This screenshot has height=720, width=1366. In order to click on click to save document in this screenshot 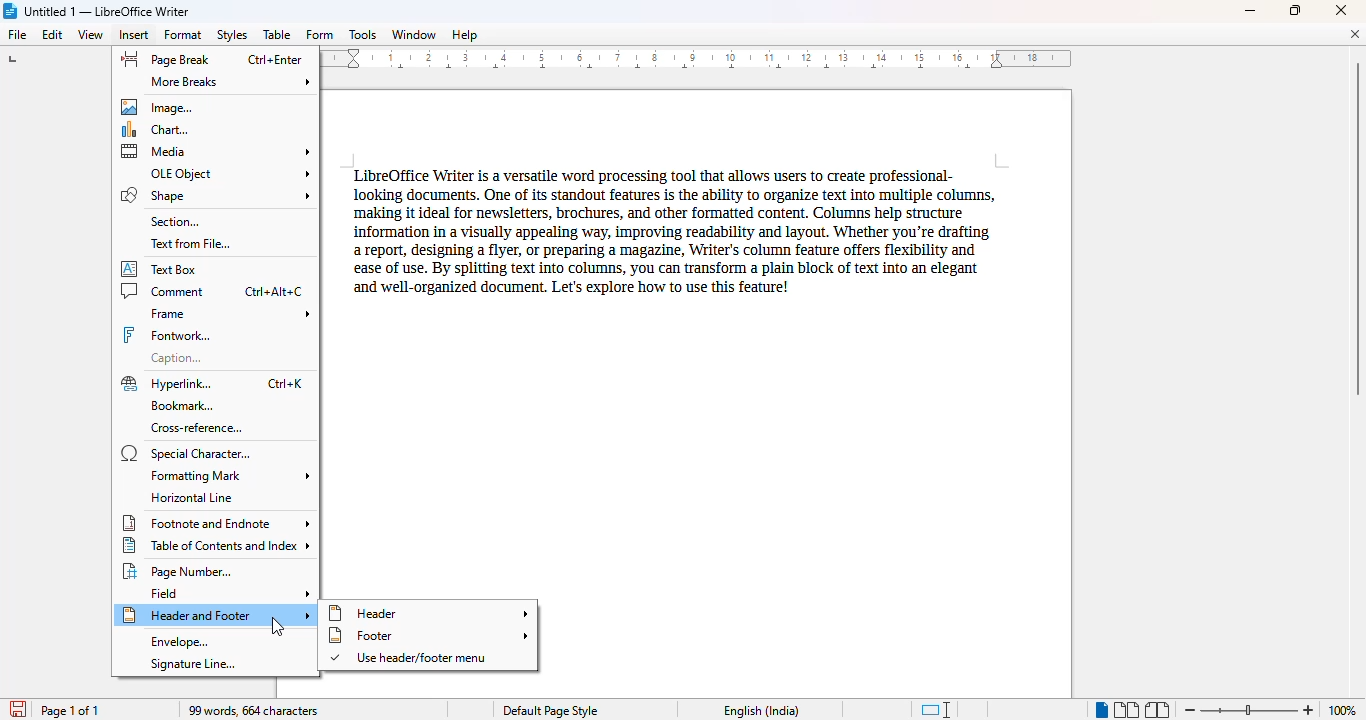, I will do `click(15, 709)`.